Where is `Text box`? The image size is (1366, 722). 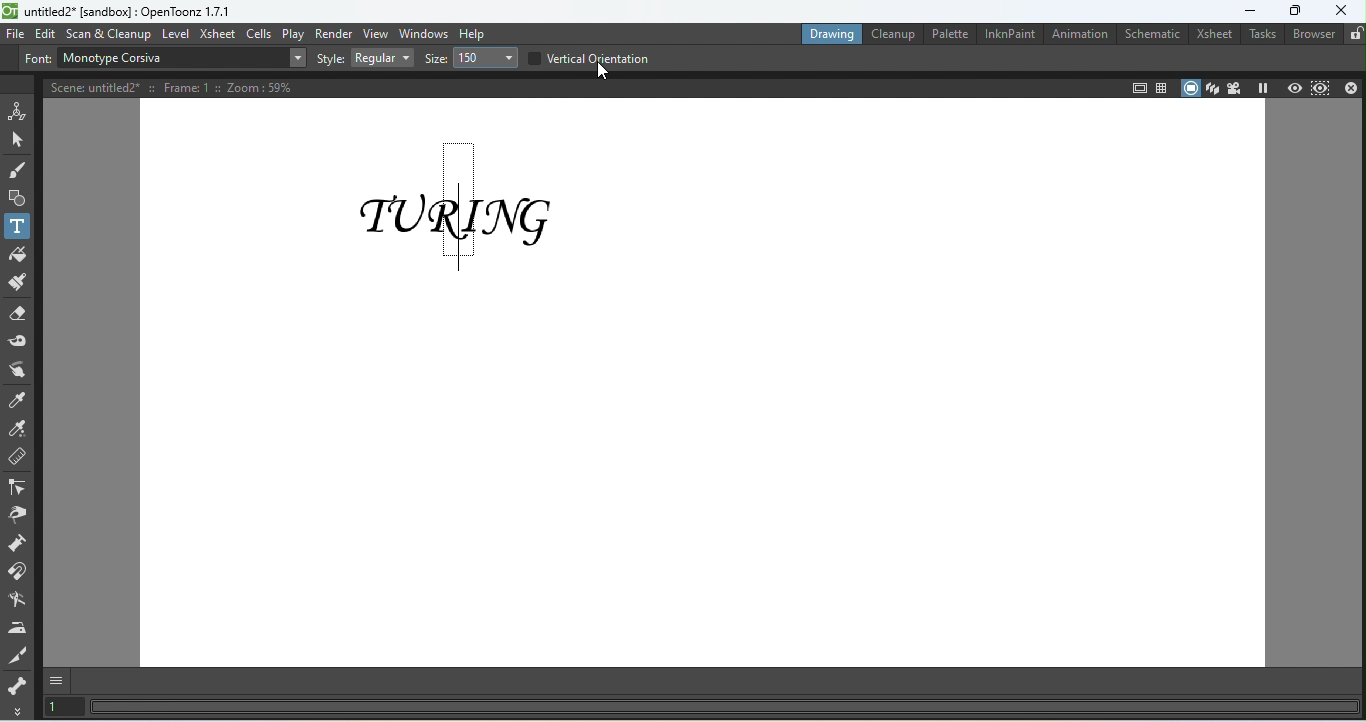 Text box is located at coordinates (168, 59).